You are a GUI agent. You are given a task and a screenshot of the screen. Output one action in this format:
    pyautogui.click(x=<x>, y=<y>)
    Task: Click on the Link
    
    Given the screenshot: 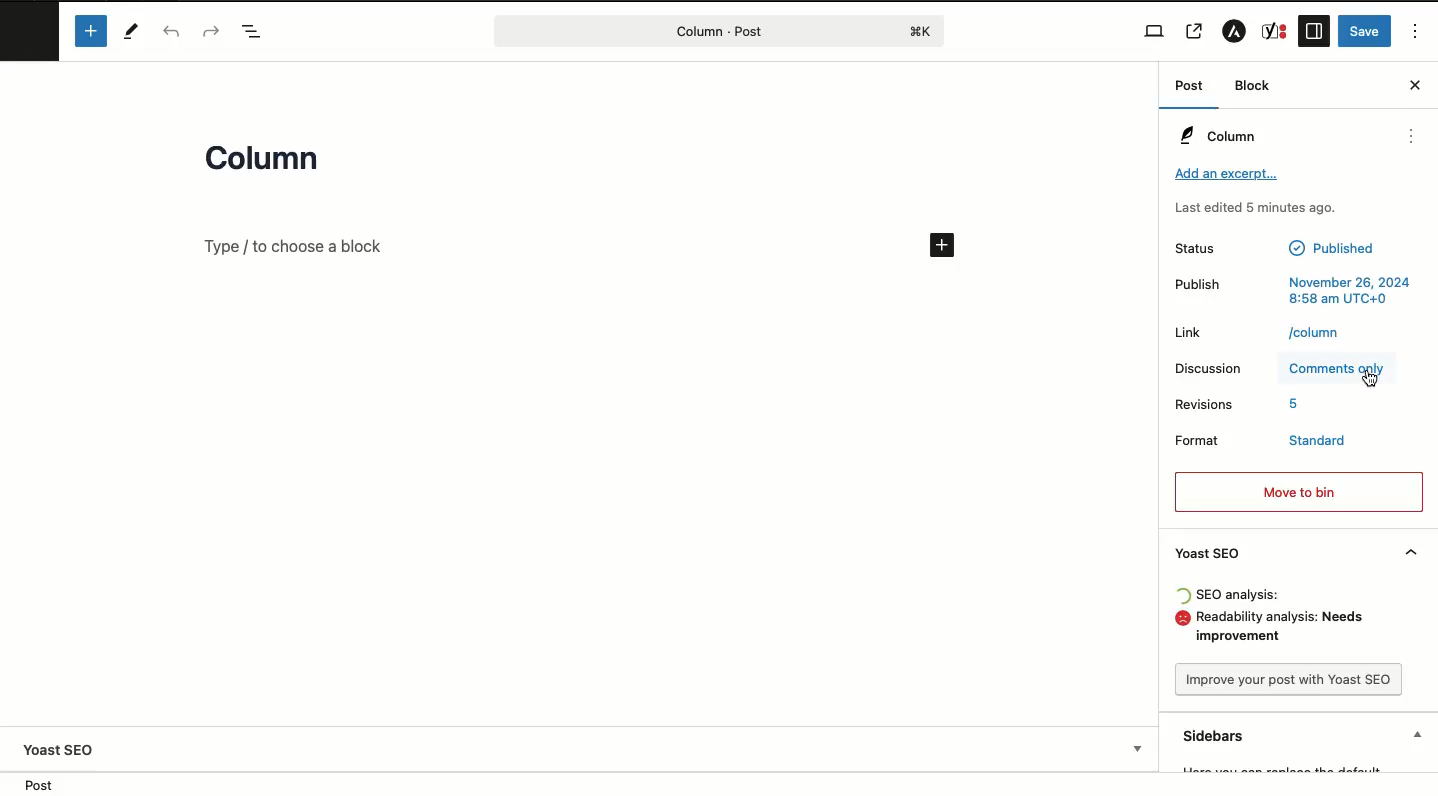 What is the action you would take?
    pyautogui.click(x=1193, y=332)
    